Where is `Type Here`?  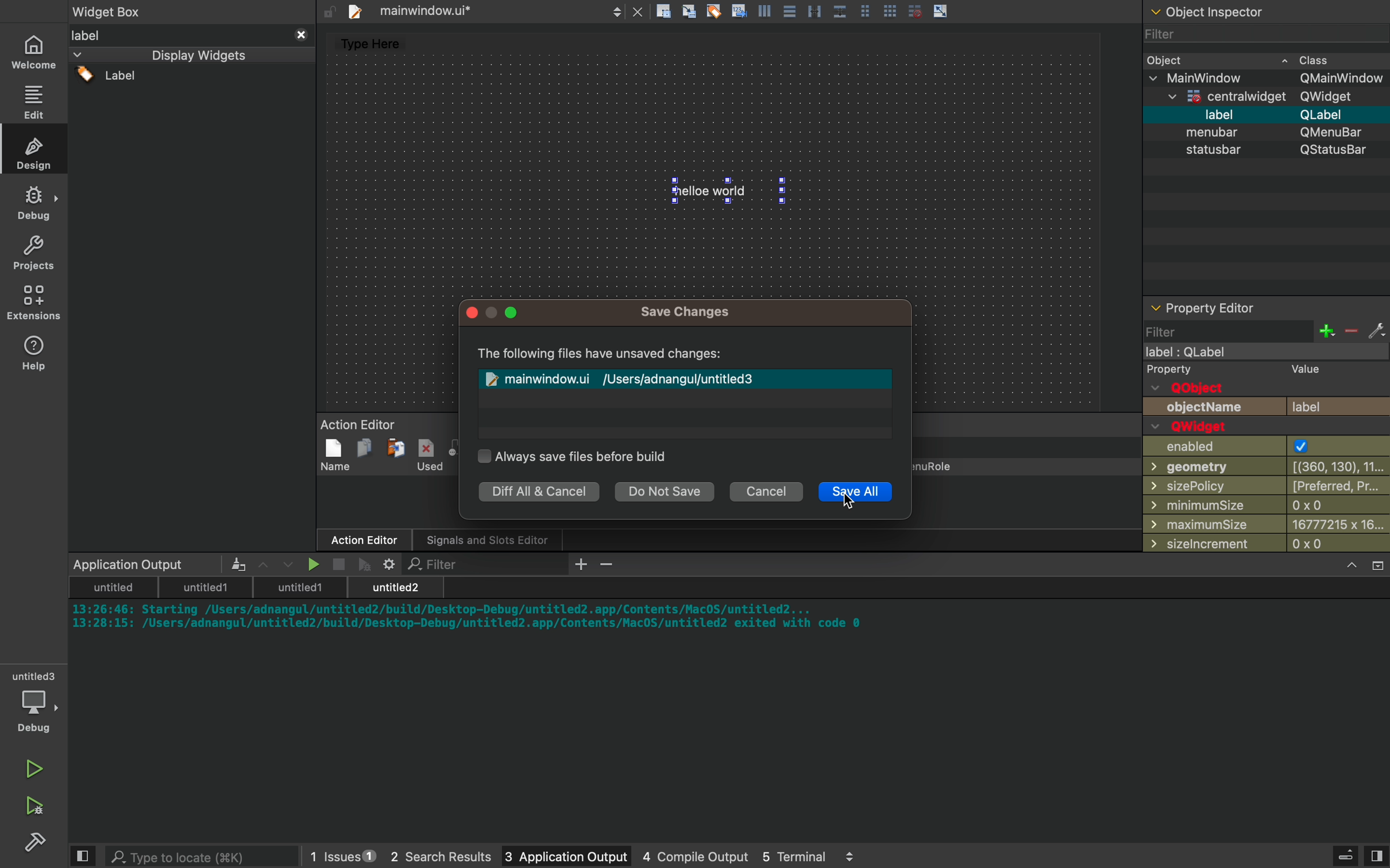
Type Here is located at coordinates (374, 44).